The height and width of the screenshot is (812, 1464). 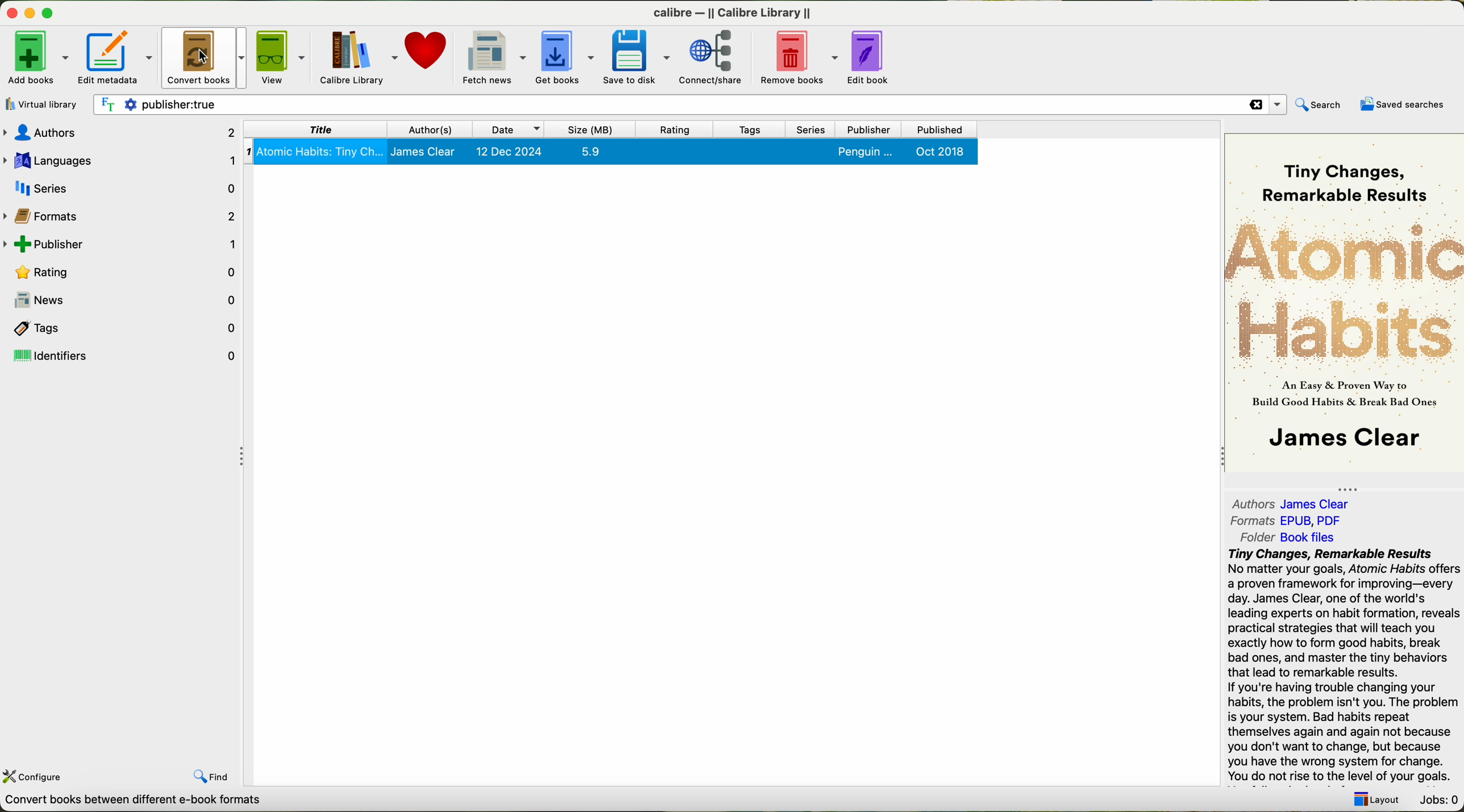 I want to click on save to disk, so click(x=634, y=57).